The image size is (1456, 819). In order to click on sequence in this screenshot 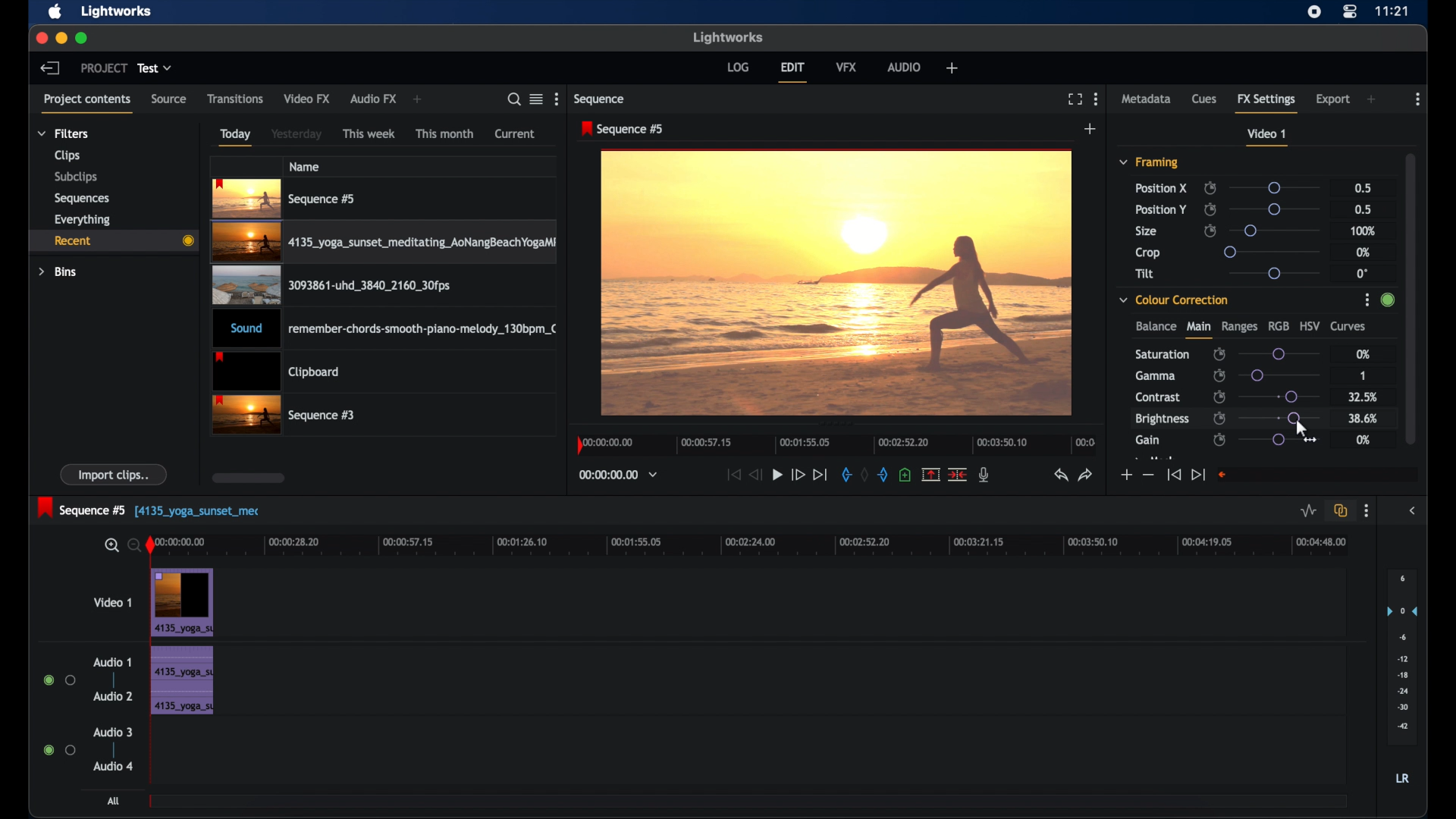, I will do `click(601, 99)`.